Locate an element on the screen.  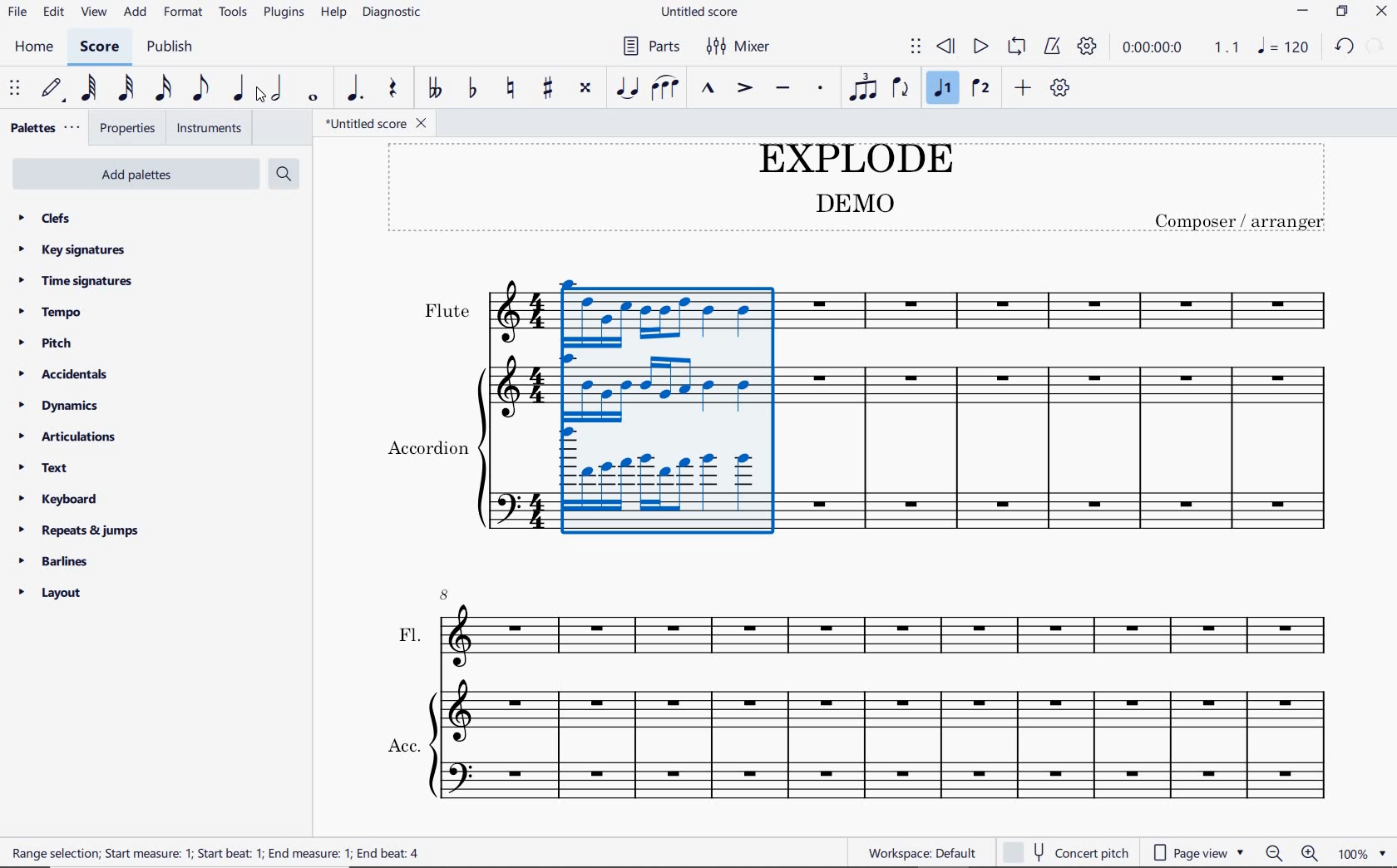
publish is located at coordinates (170, 47).